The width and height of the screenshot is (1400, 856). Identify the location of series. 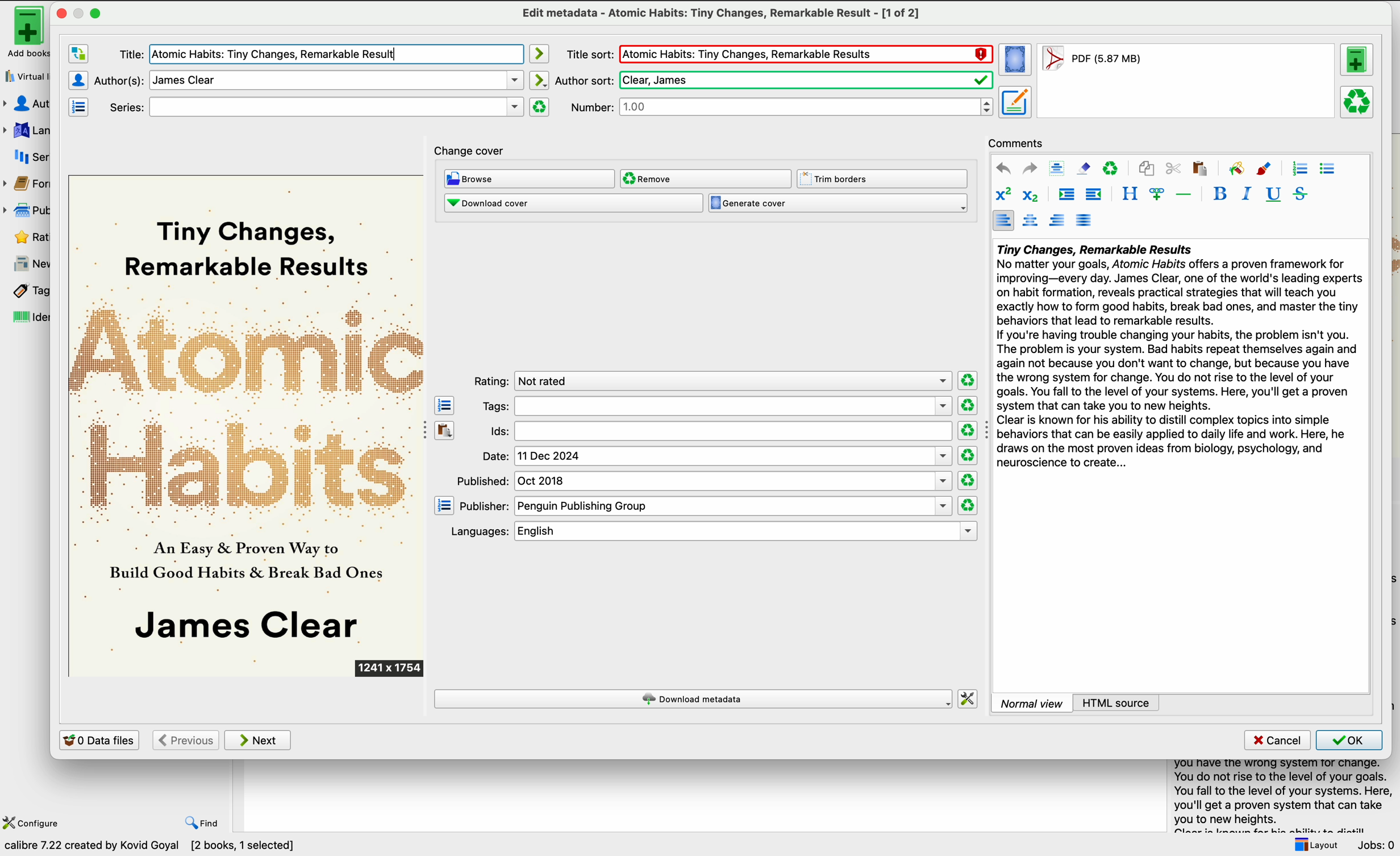
(311, 106).